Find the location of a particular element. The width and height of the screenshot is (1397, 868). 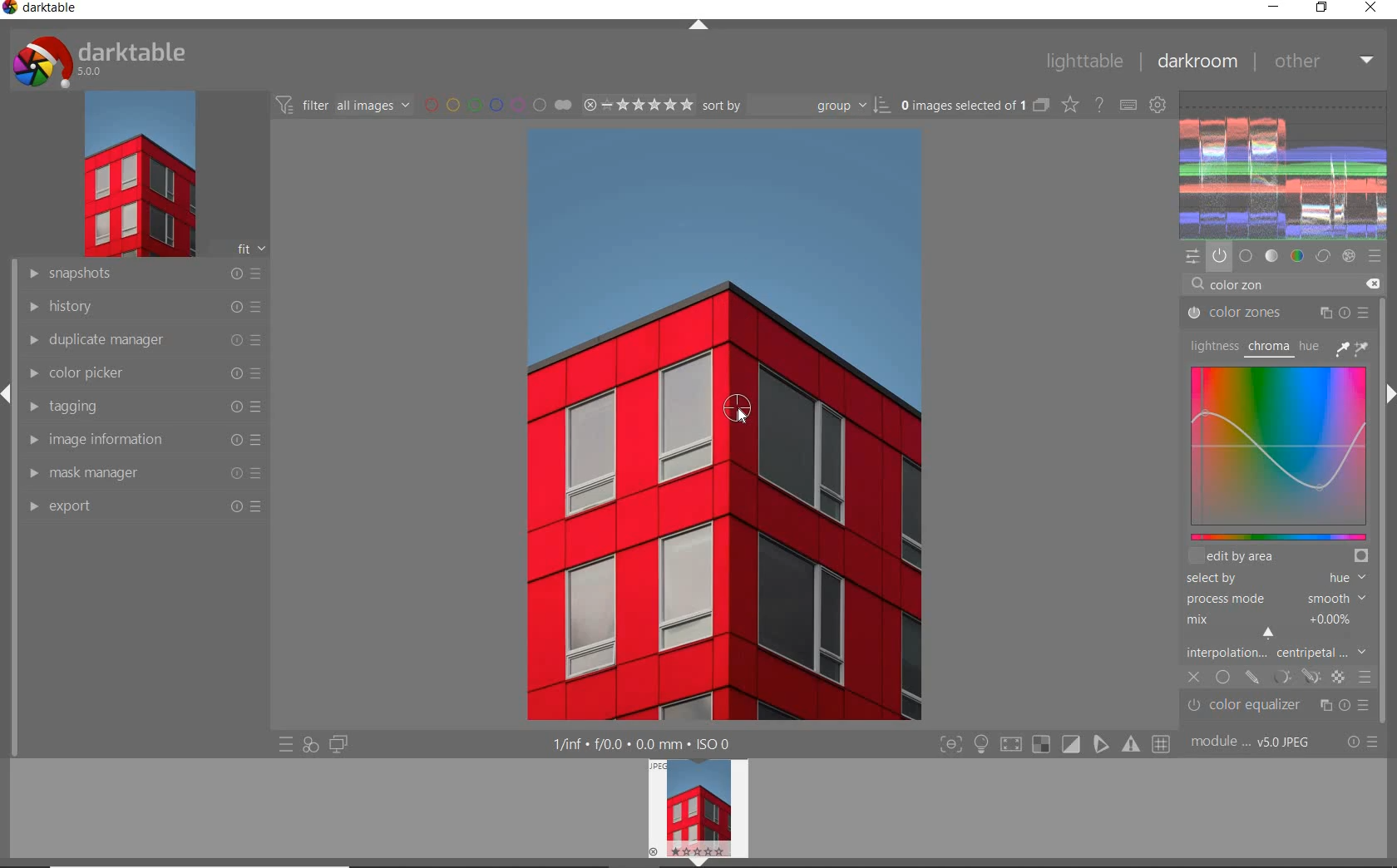

grid overlay is located at coordinates (1162, 742).